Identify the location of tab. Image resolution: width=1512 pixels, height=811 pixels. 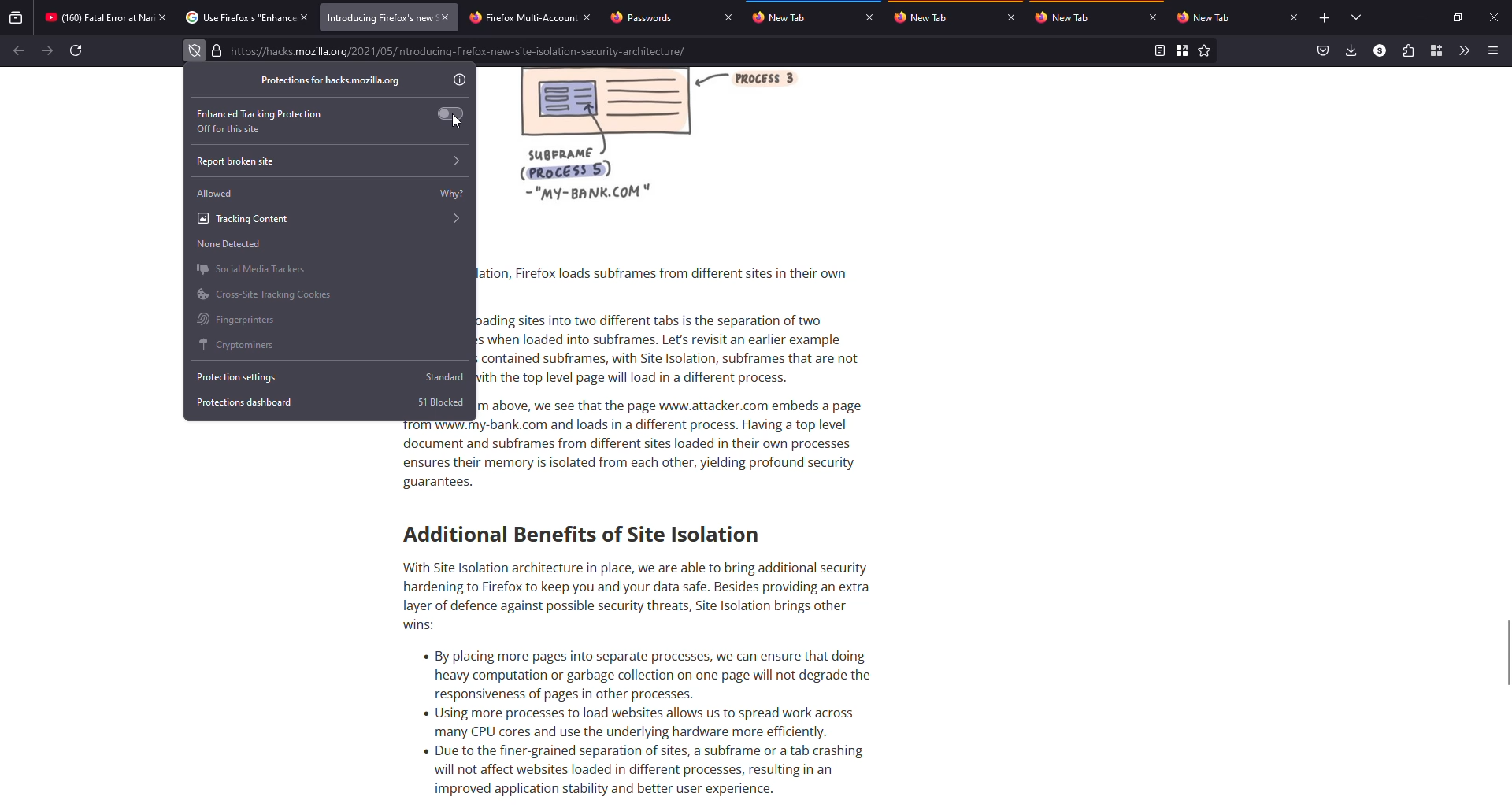
(931, 17).